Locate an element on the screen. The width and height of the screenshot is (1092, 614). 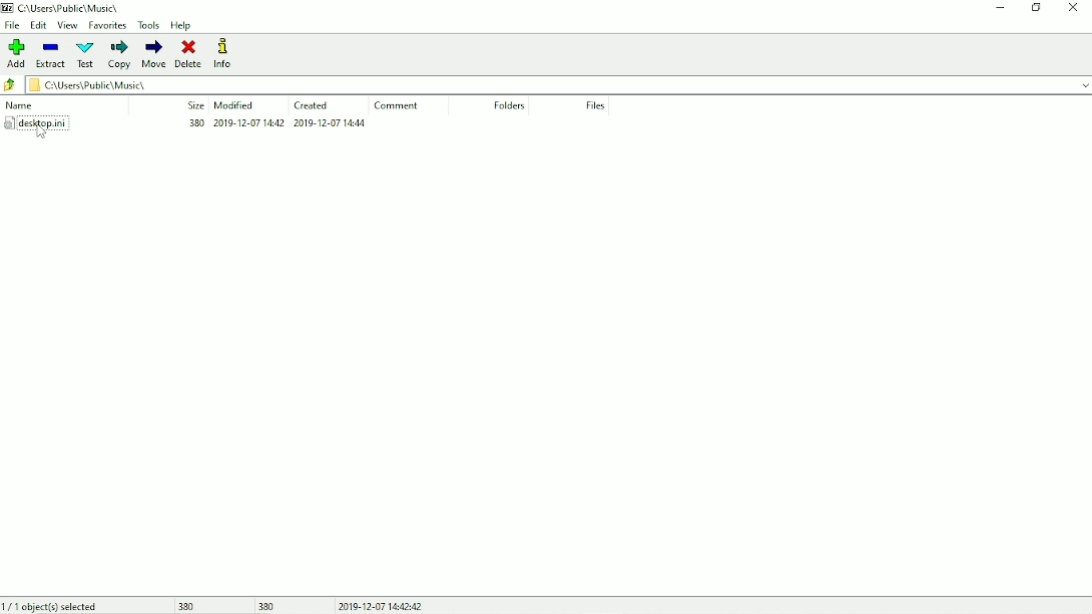
Name is located at coordinates (20, 104).